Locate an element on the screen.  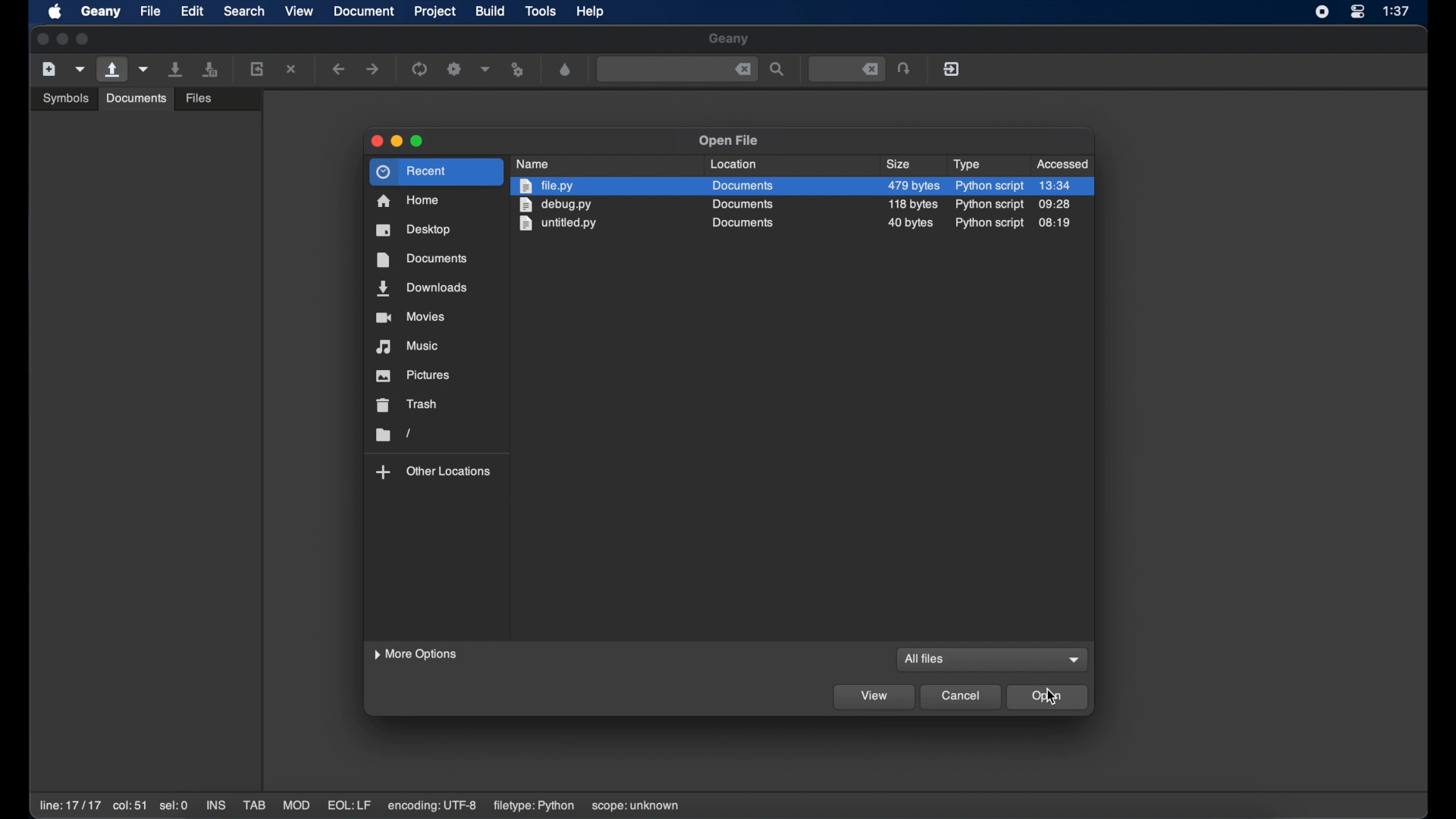
col:51 is located at coordinates (130, 807).